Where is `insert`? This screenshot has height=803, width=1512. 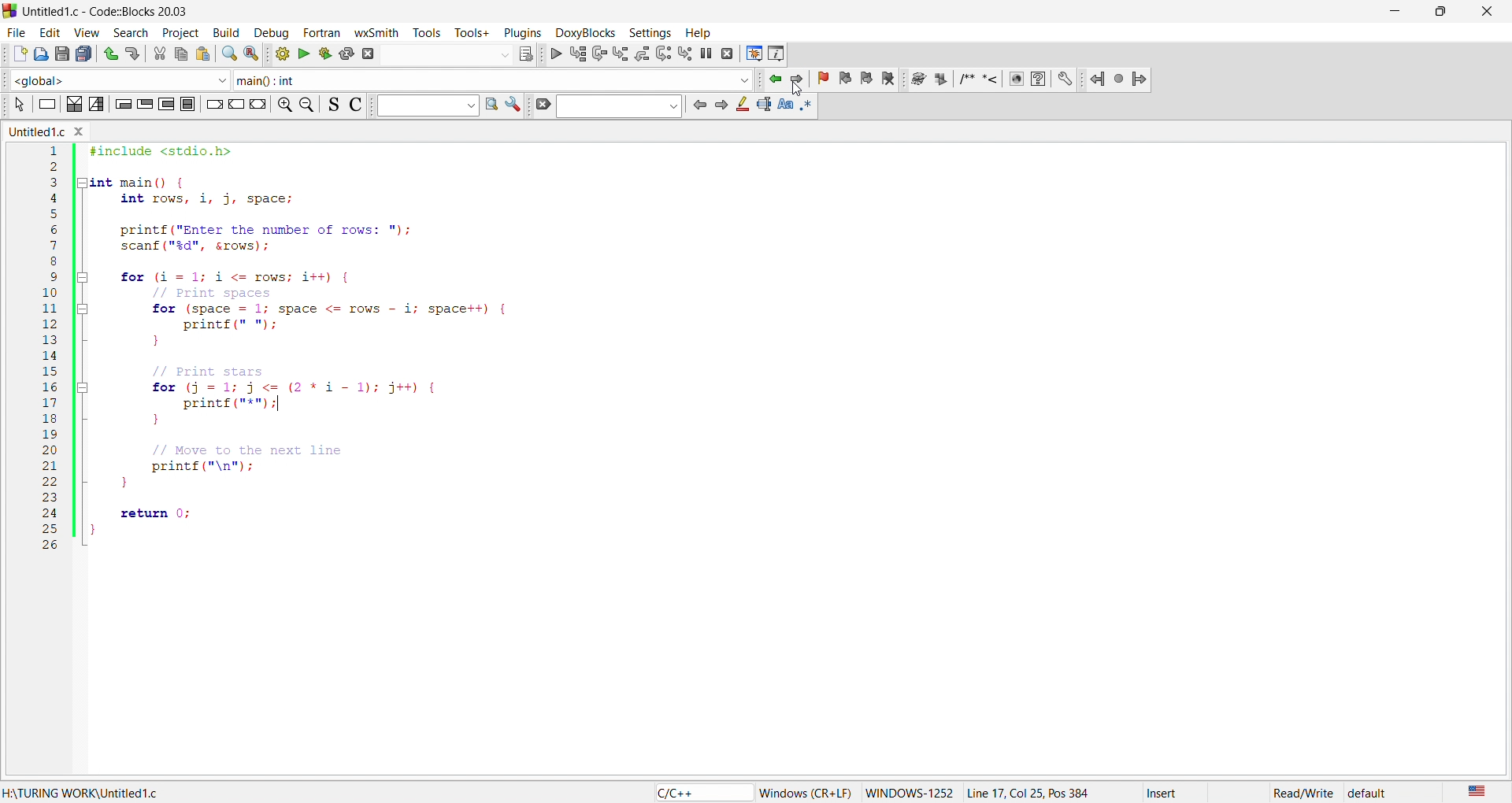 insert is located at coordinates (1165, 788).